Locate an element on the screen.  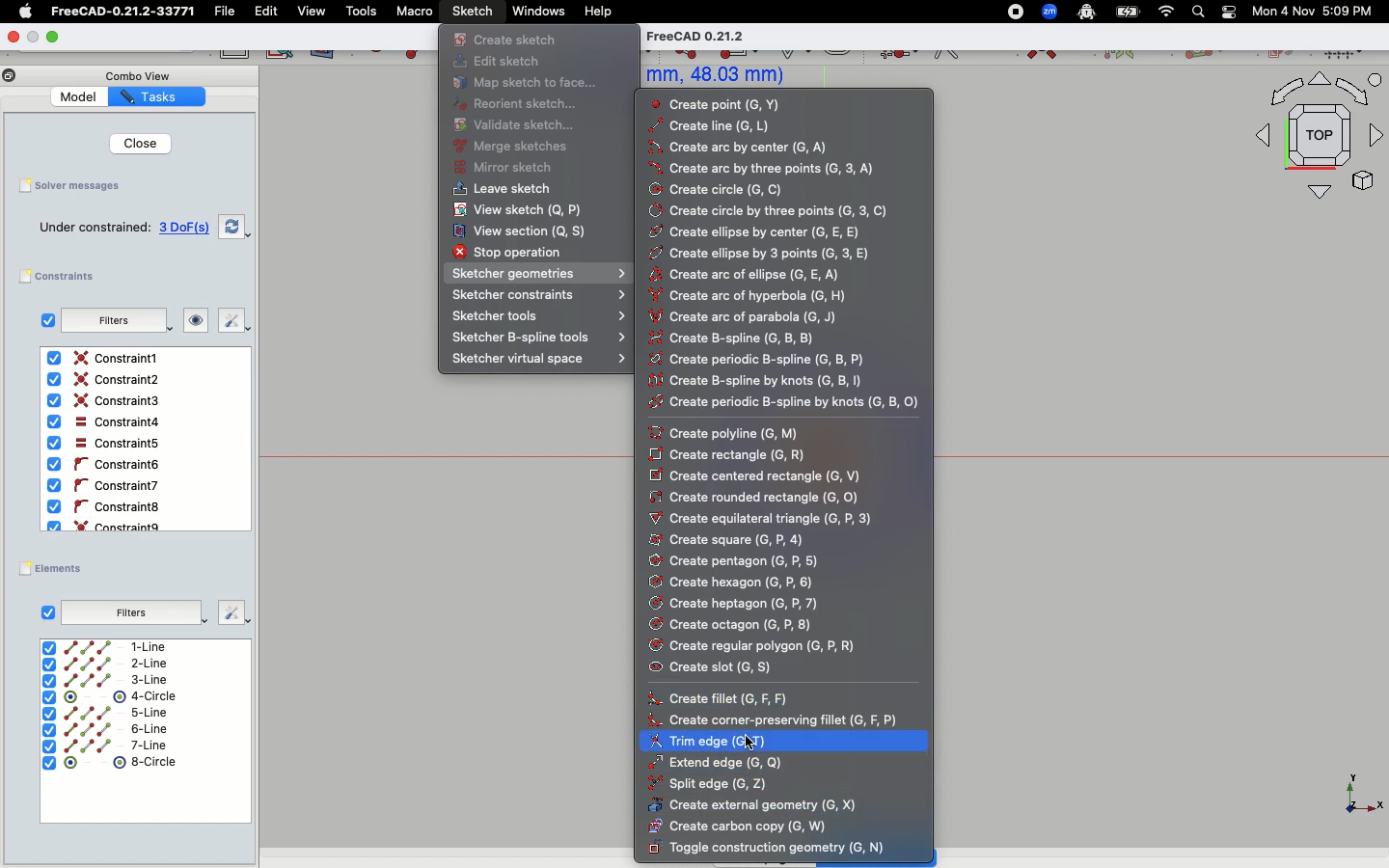
Create square is located at coordinates (726, 541).